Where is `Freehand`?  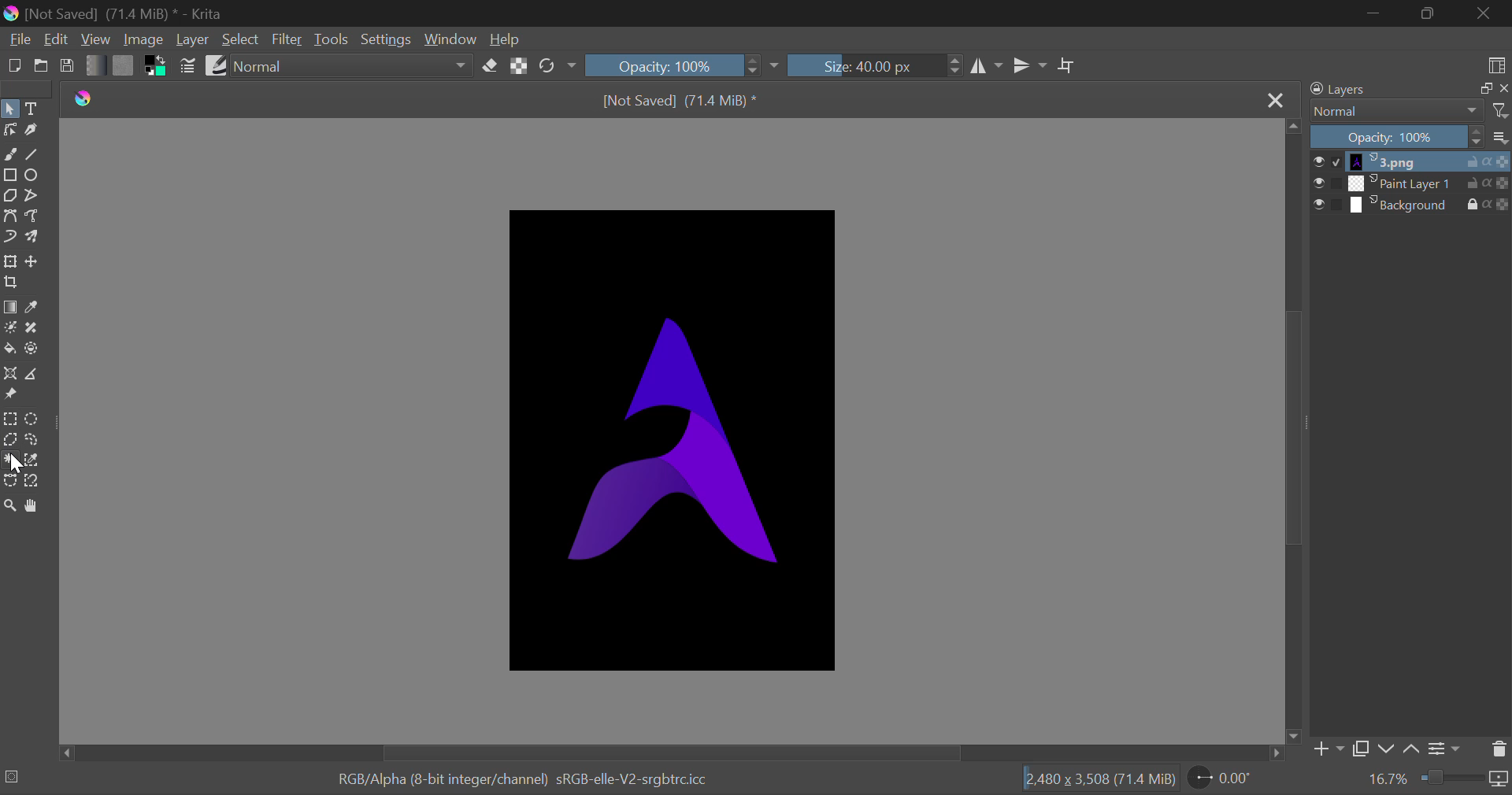
Freehand is located at coordinates (10, 152).